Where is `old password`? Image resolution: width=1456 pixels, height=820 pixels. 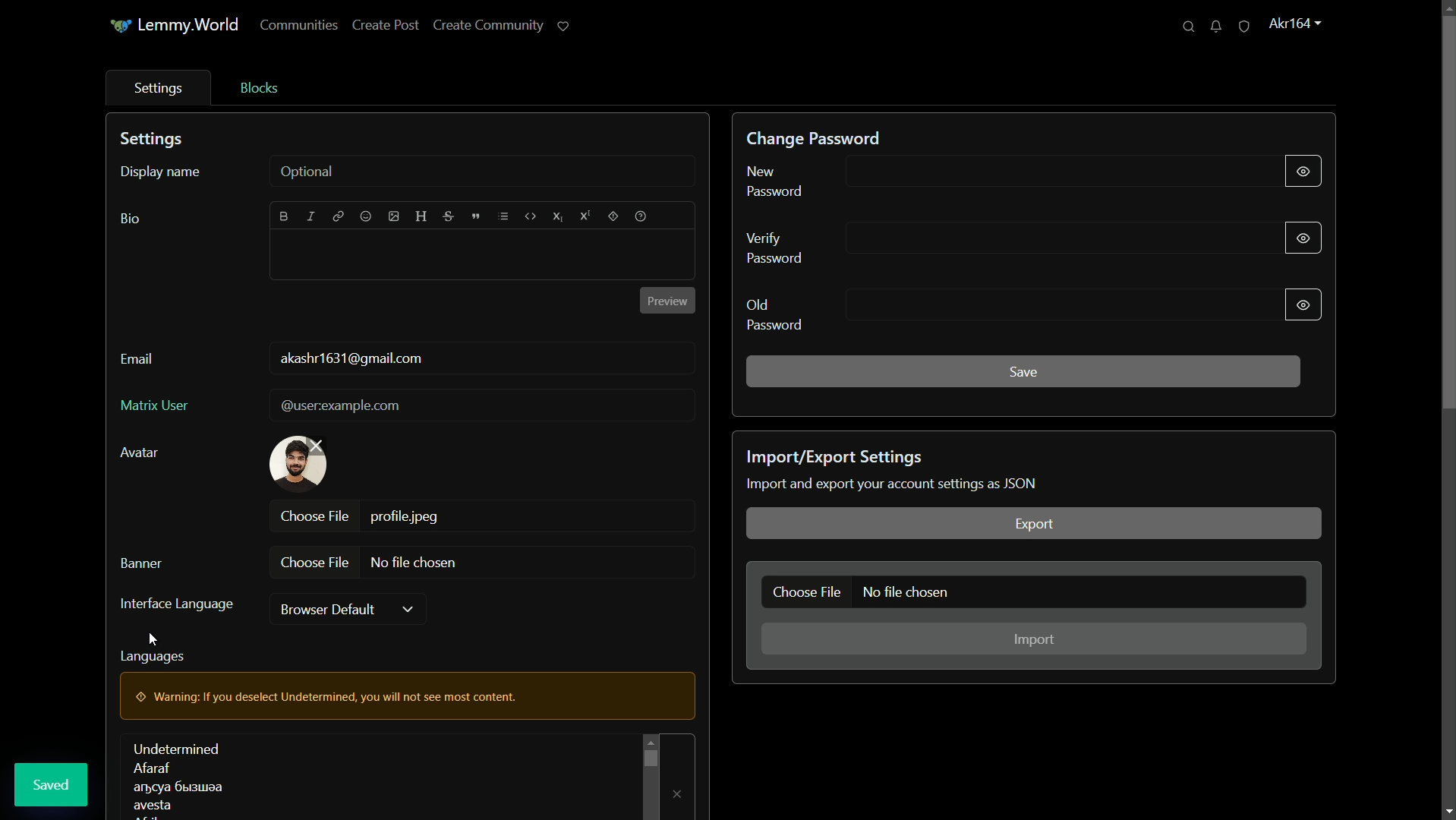 old password is located at coordinates (775, 314).